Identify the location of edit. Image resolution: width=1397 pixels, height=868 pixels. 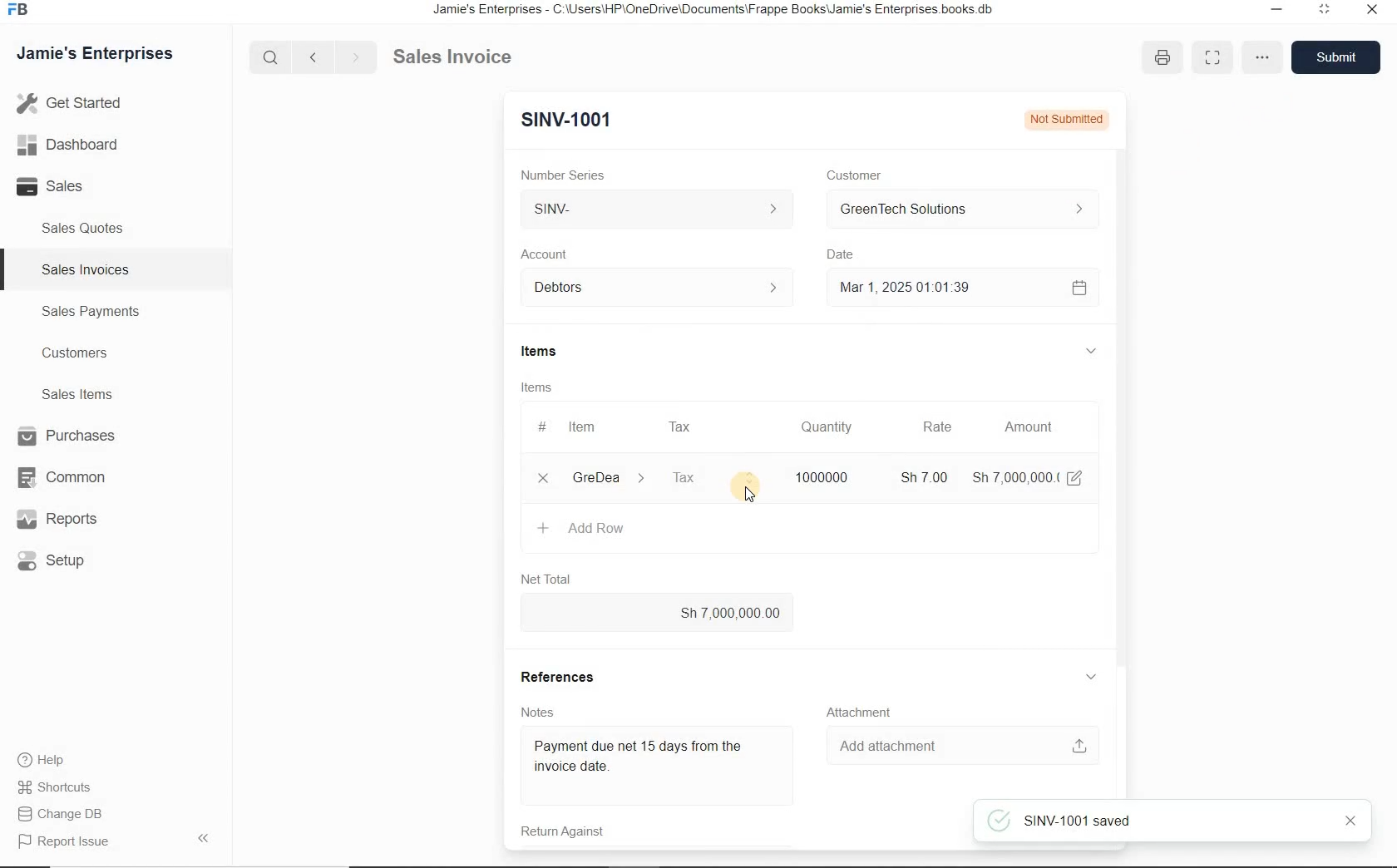
(1075, 476).